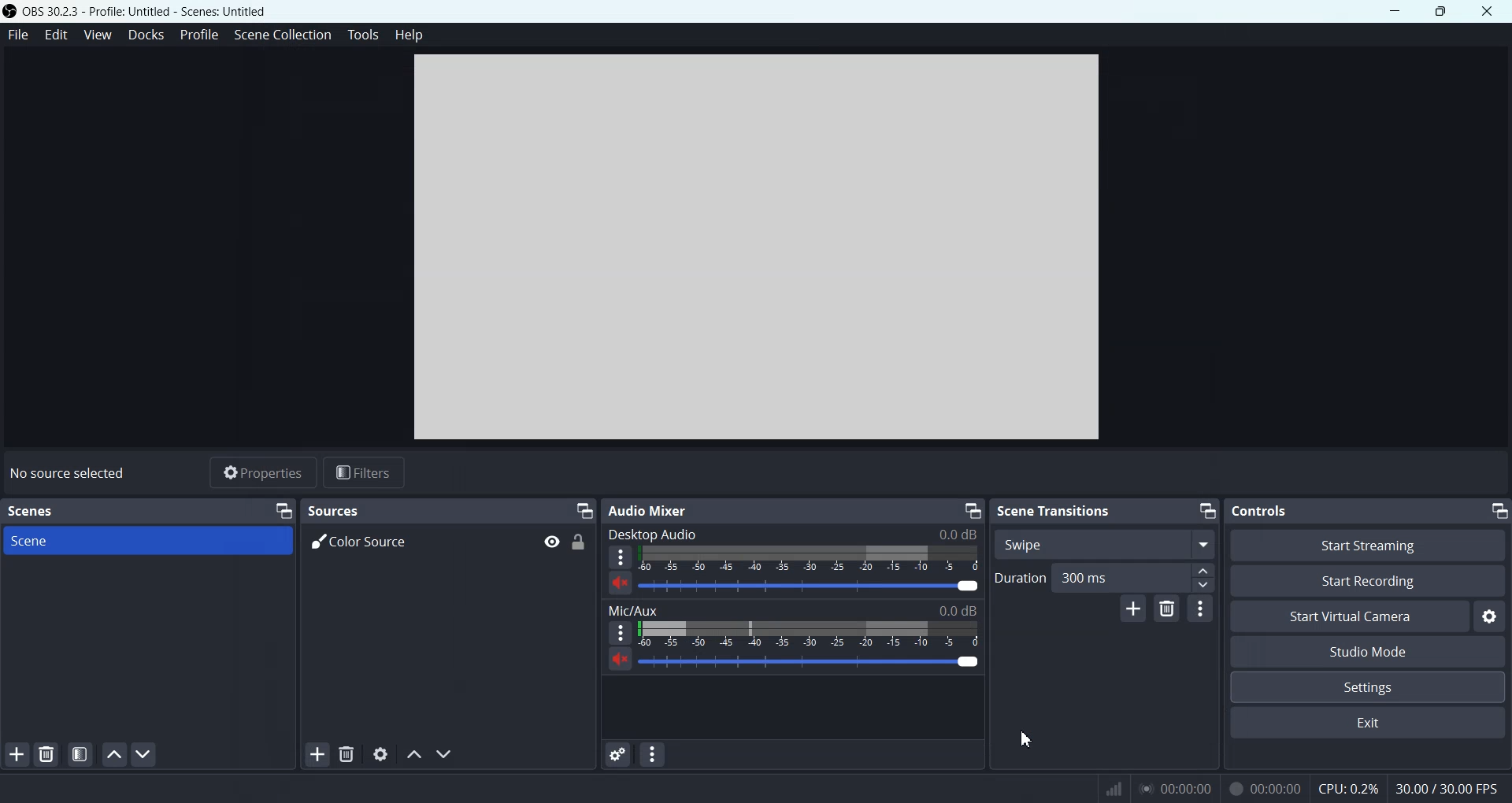 The height and width of the screenshot is (803, 1512). Describe the element at coordinates (1368, 581) in the screenshot. I see `Start Recording` at that location.